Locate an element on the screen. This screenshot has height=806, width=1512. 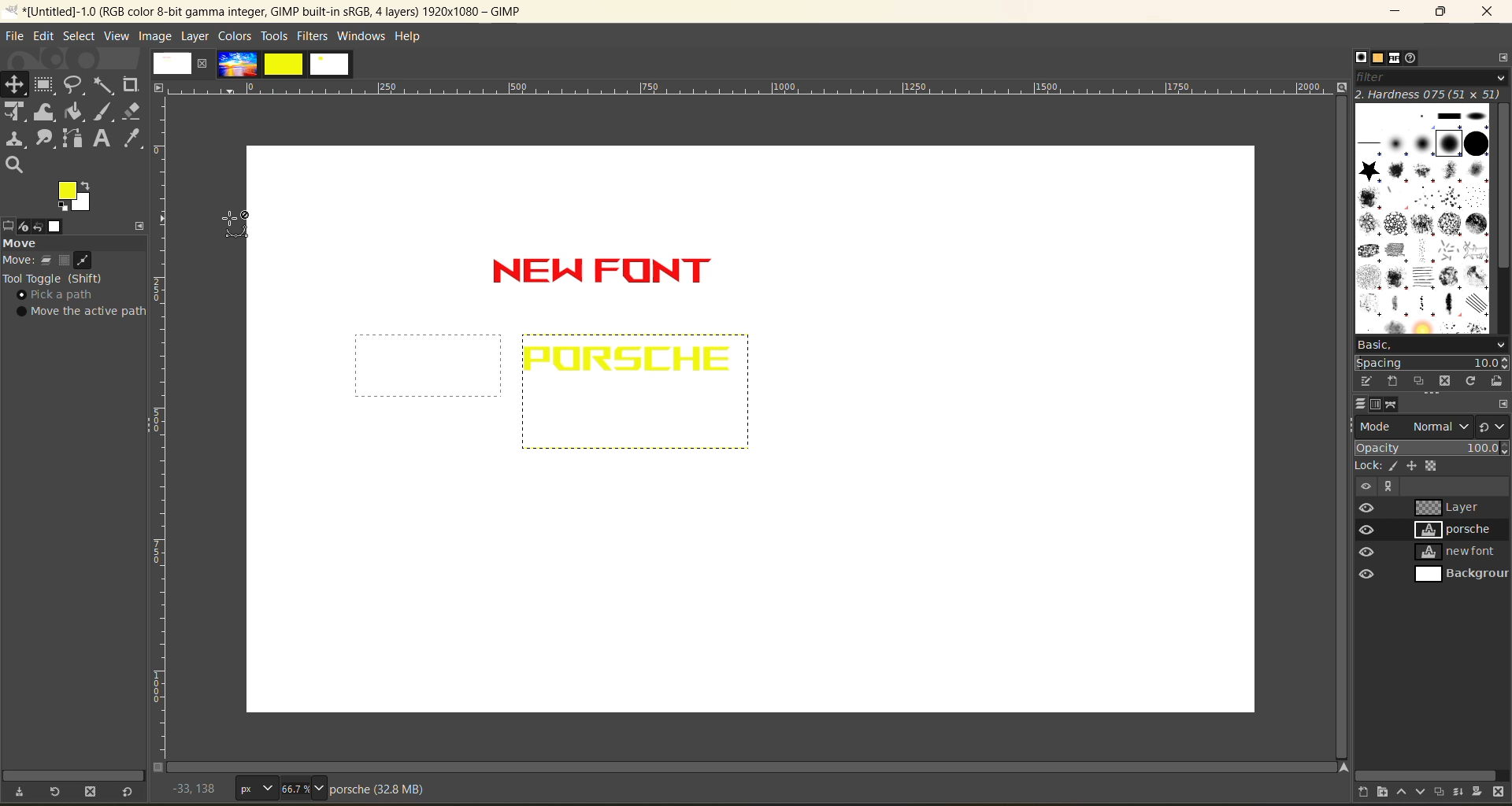
close is located at coordinates (1488, 13).